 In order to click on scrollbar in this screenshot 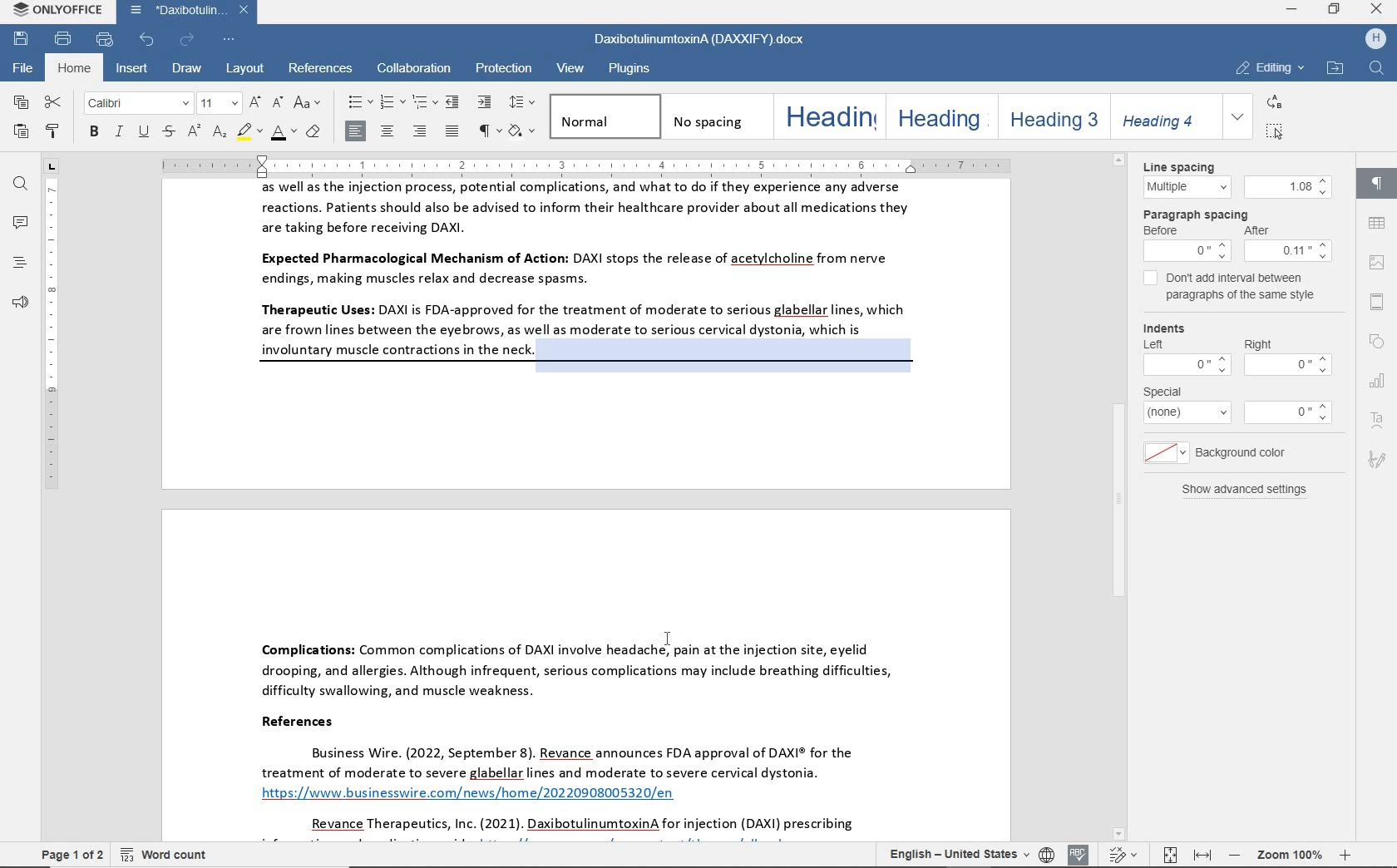, I will do `click(1346, 499)`.